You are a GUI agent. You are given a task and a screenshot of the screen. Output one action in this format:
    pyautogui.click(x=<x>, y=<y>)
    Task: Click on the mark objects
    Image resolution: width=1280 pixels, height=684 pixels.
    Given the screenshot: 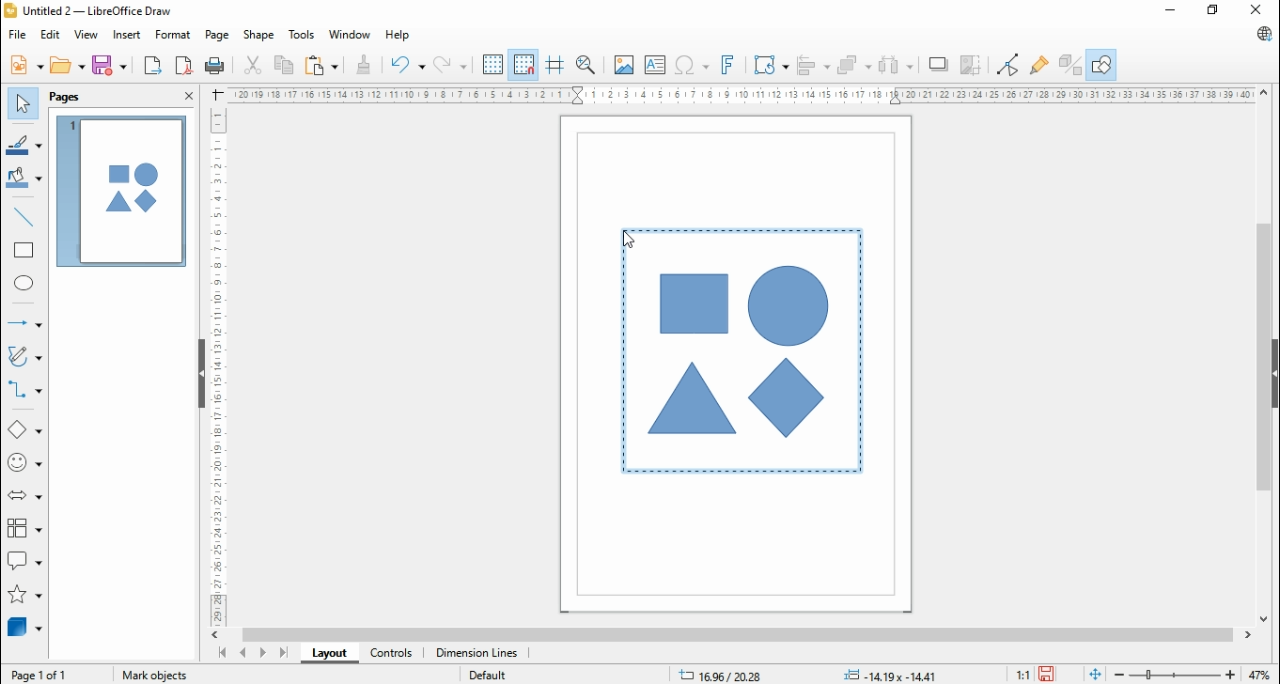 What is the action you would take?
    pyautogui.click(x=155, y=676)
    